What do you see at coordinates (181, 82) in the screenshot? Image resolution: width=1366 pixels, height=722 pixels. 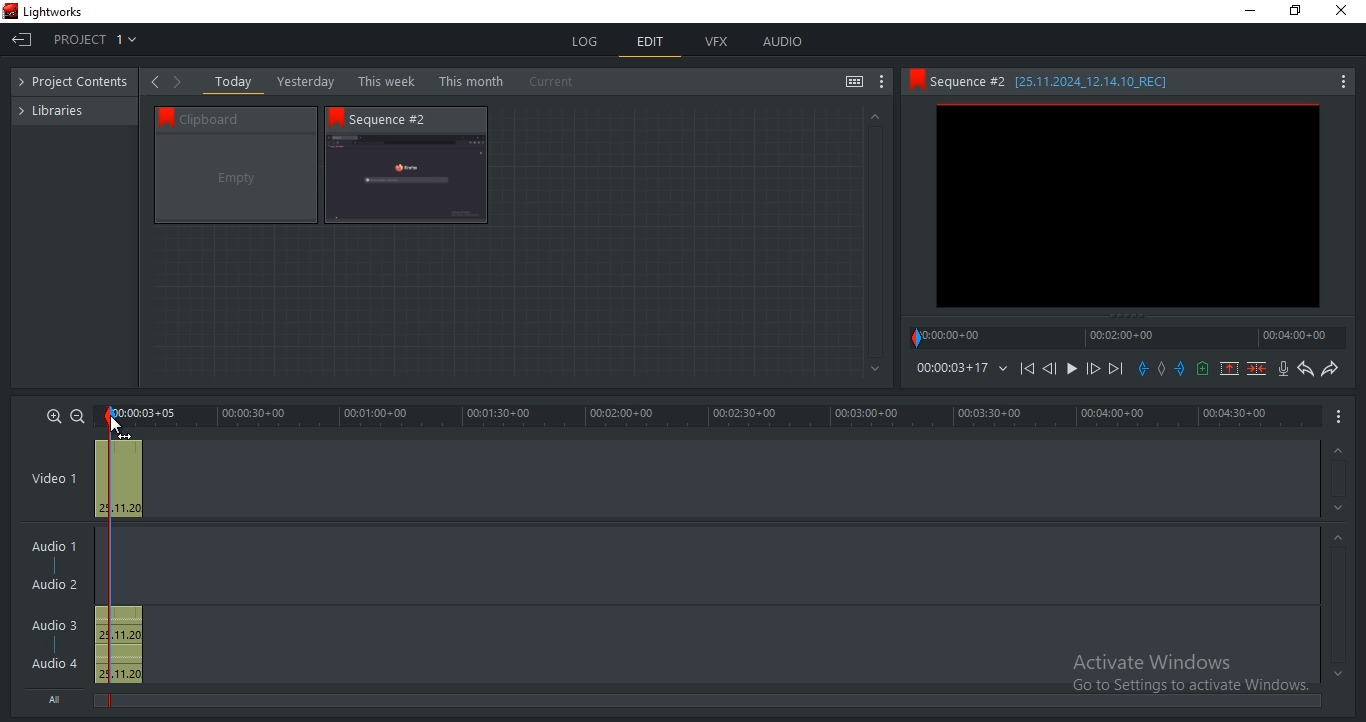 I see `Navigate right options` at bounding box center [181, 82].